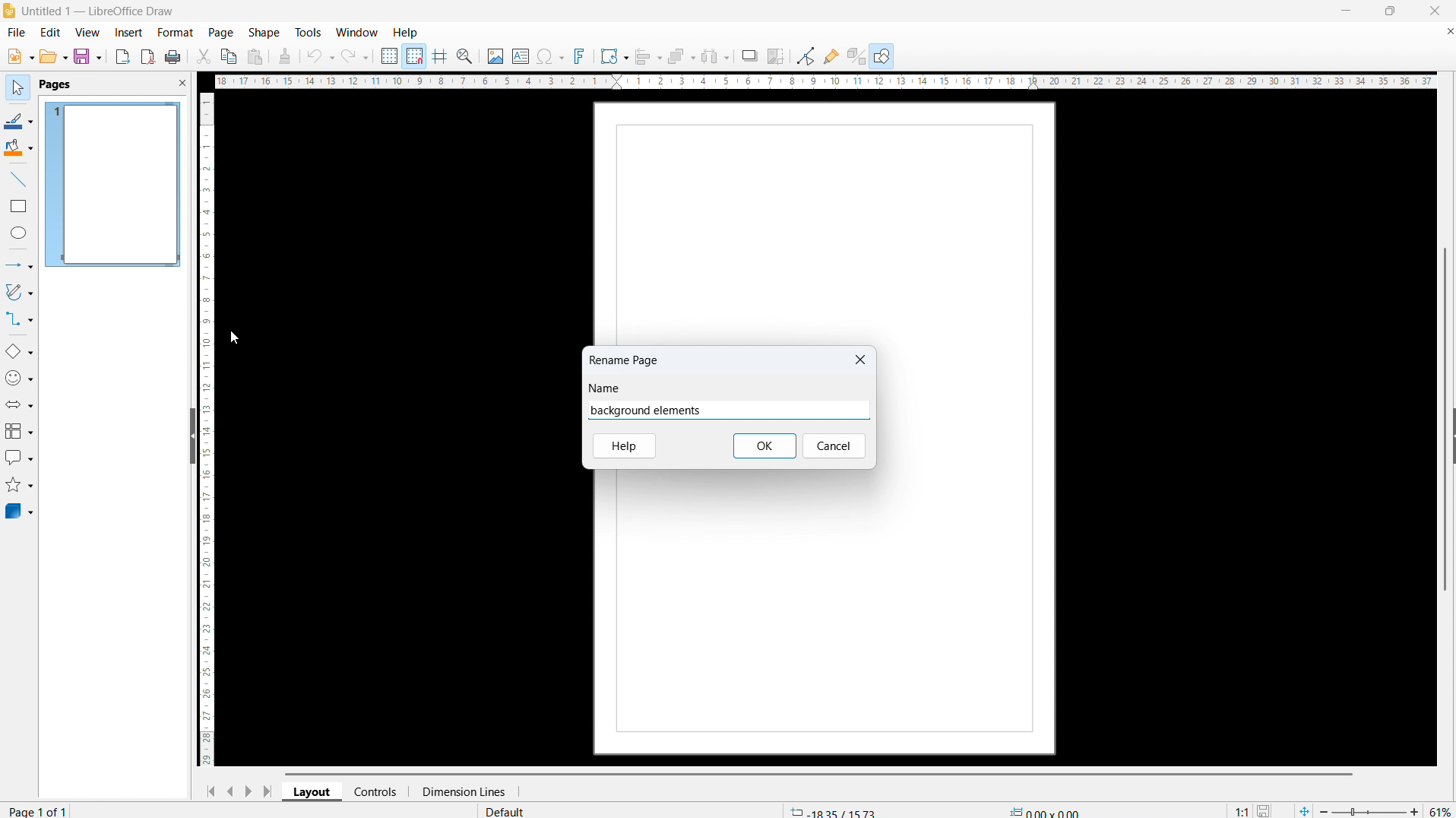 This screenshot has width=1456, height=818. What do you see at coordinates (176, 33) in the screenshot?
I see `format` at bounding box center [176, 33].